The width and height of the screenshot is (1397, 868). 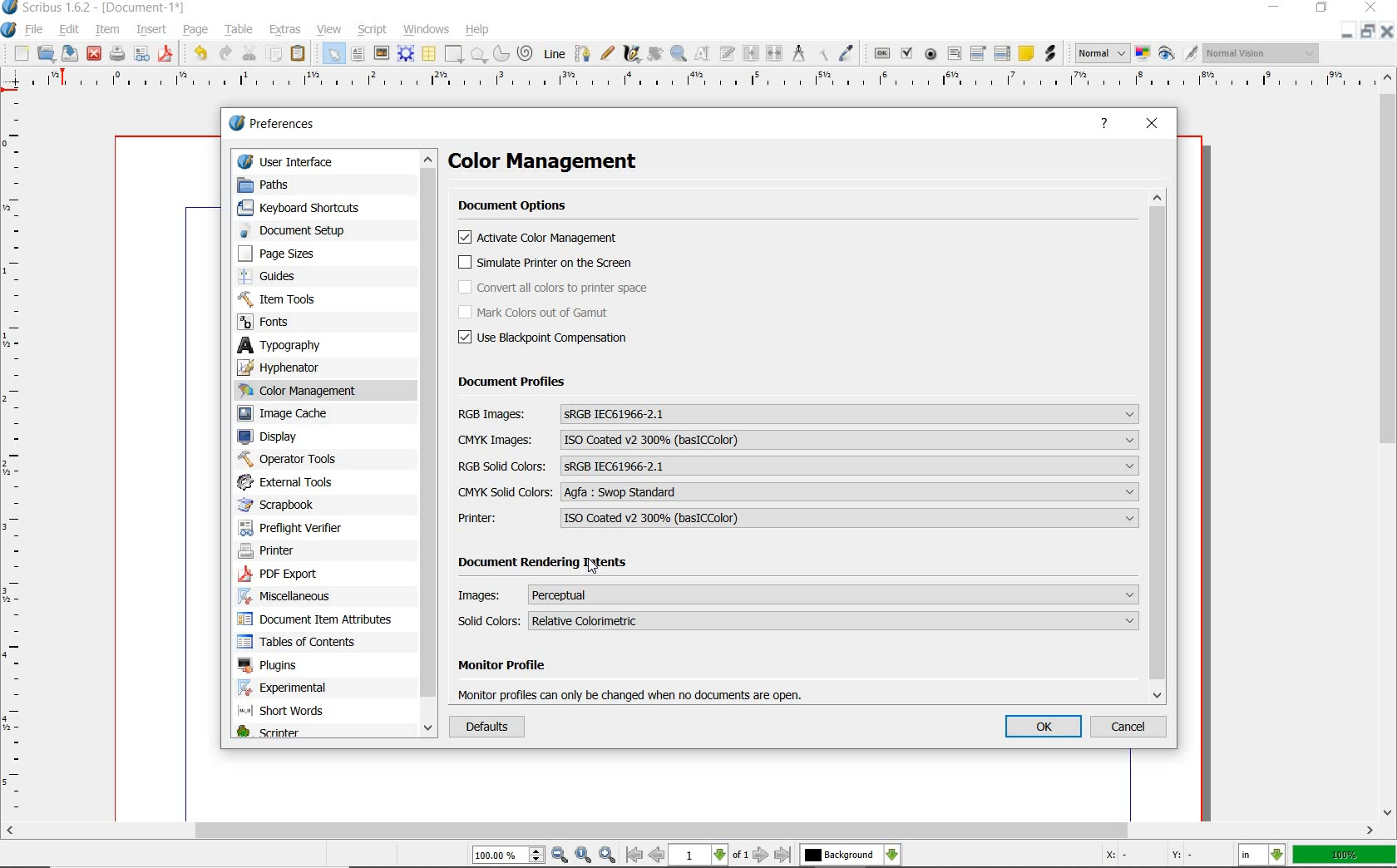 I want to click on scrollbar, so click(x=689, y=831).